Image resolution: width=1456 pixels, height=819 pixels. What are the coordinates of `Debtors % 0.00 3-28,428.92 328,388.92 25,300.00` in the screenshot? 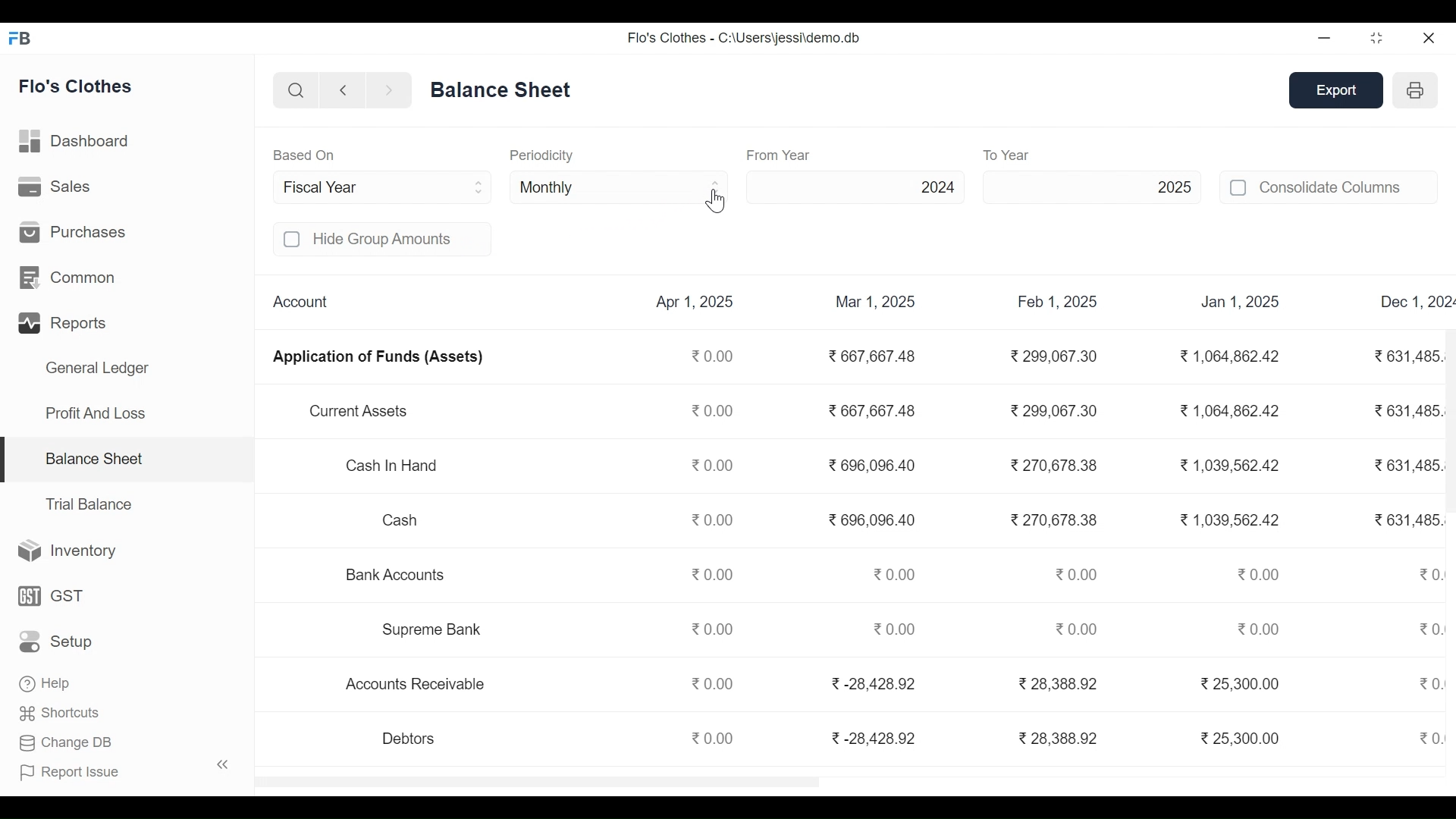 It's located at (817, 739).